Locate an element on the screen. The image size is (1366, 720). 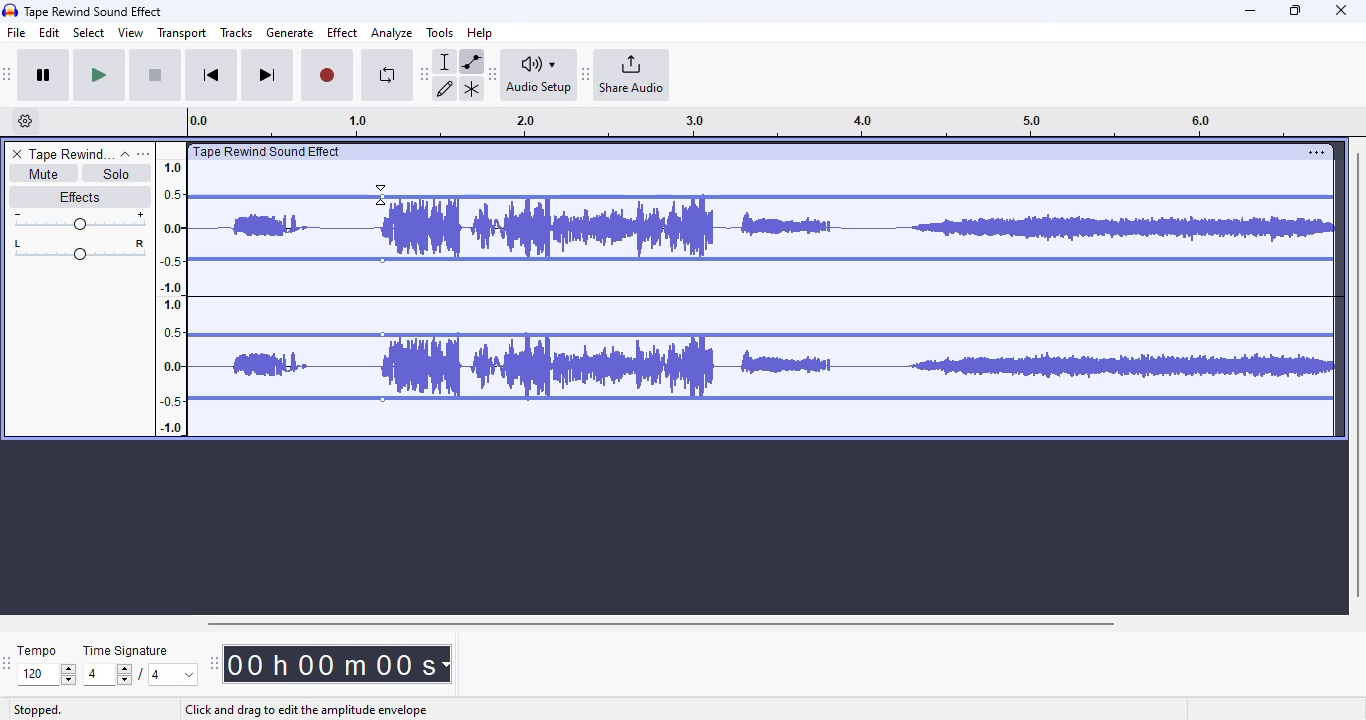
Move audacity transport toolbar is located at coordinates (8, 74).